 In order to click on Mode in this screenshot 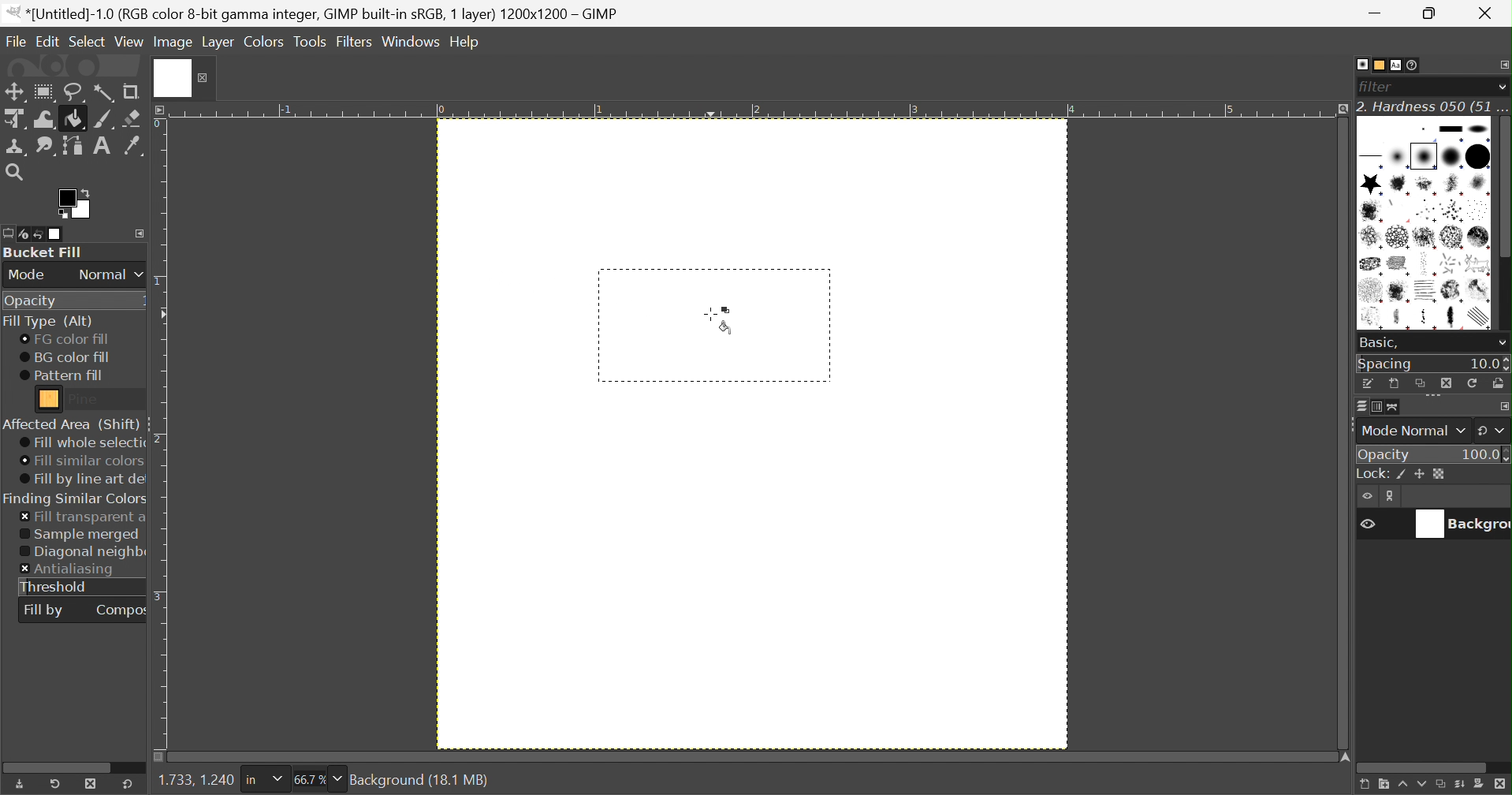, I will do `click(28, 275)`.